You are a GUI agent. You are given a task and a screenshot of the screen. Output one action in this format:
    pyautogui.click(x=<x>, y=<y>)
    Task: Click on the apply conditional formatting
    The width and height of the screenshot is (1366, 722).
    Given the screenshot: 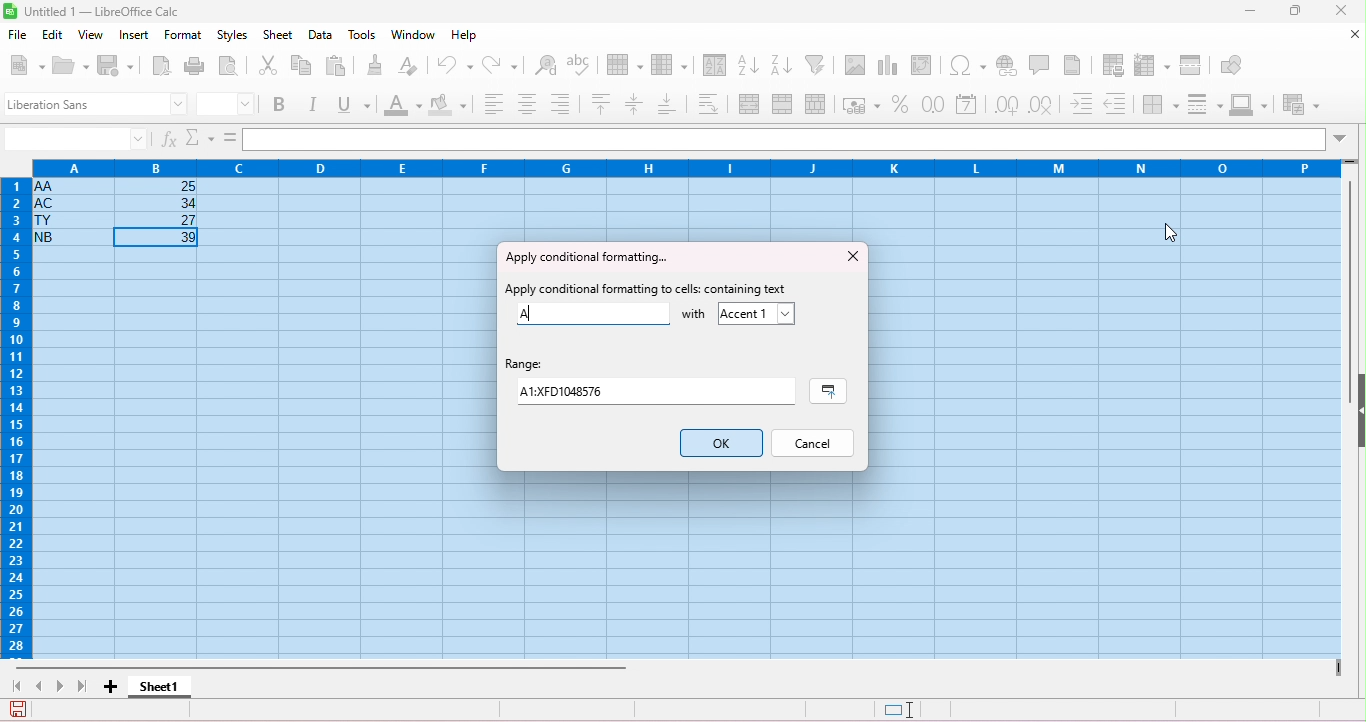 What is the action you would take?
    pyautogui.click(x=592, y=257)
    